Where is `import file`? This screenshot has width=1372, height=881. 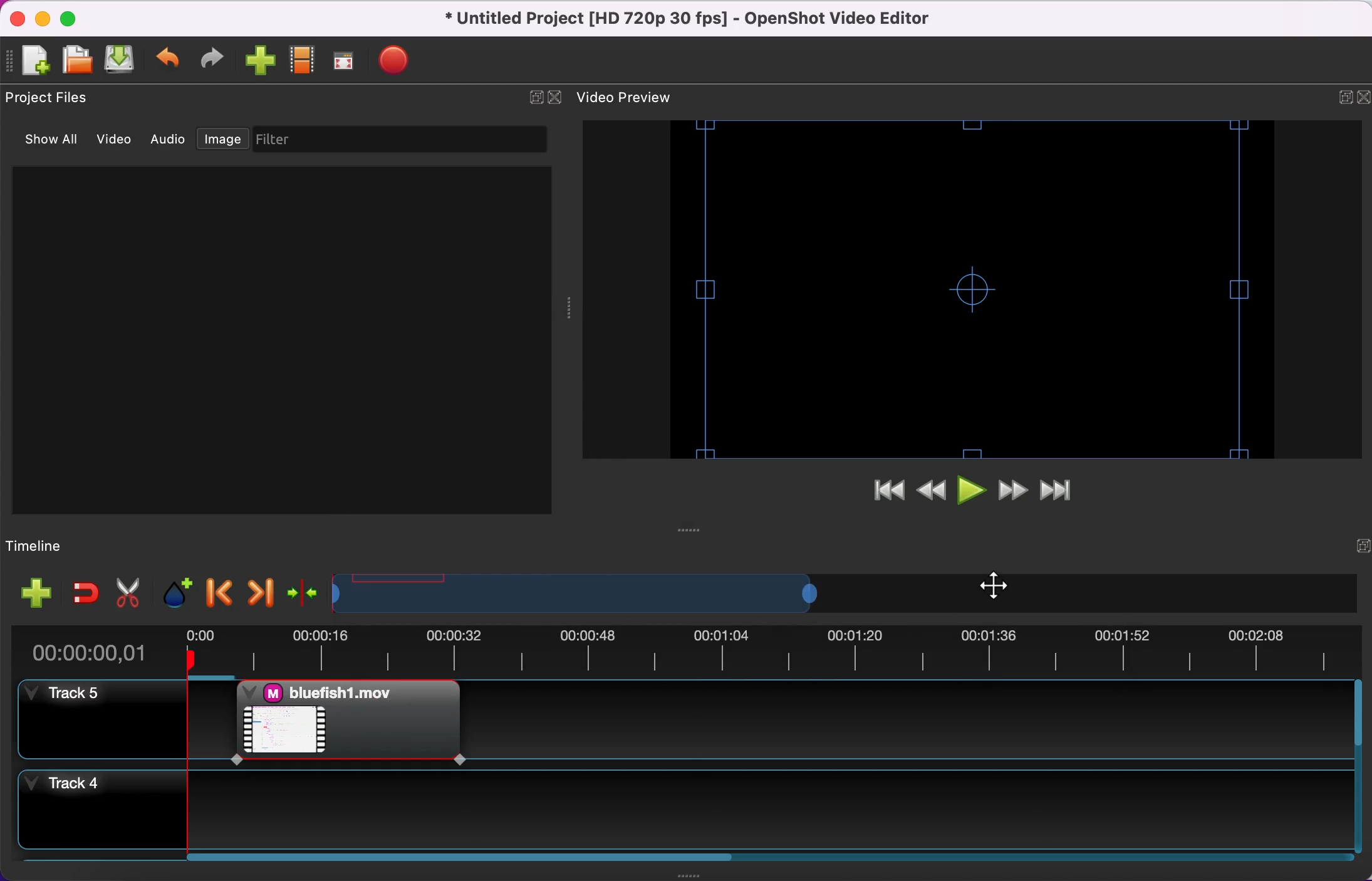
import file is located at coordinates (262, 62).